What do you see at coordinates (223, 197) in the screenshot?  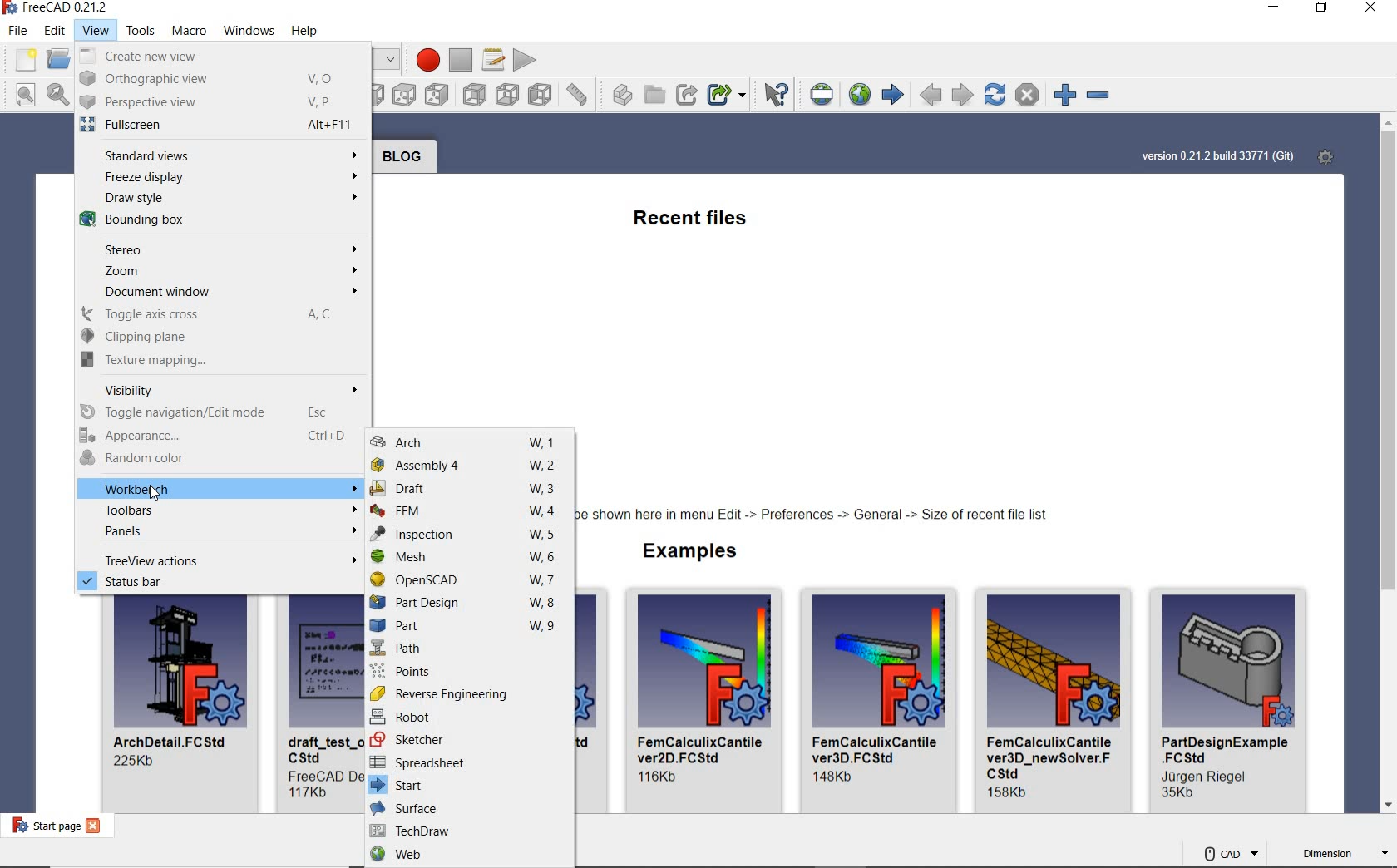 I see `draw style` at bounding box center [223, 197].